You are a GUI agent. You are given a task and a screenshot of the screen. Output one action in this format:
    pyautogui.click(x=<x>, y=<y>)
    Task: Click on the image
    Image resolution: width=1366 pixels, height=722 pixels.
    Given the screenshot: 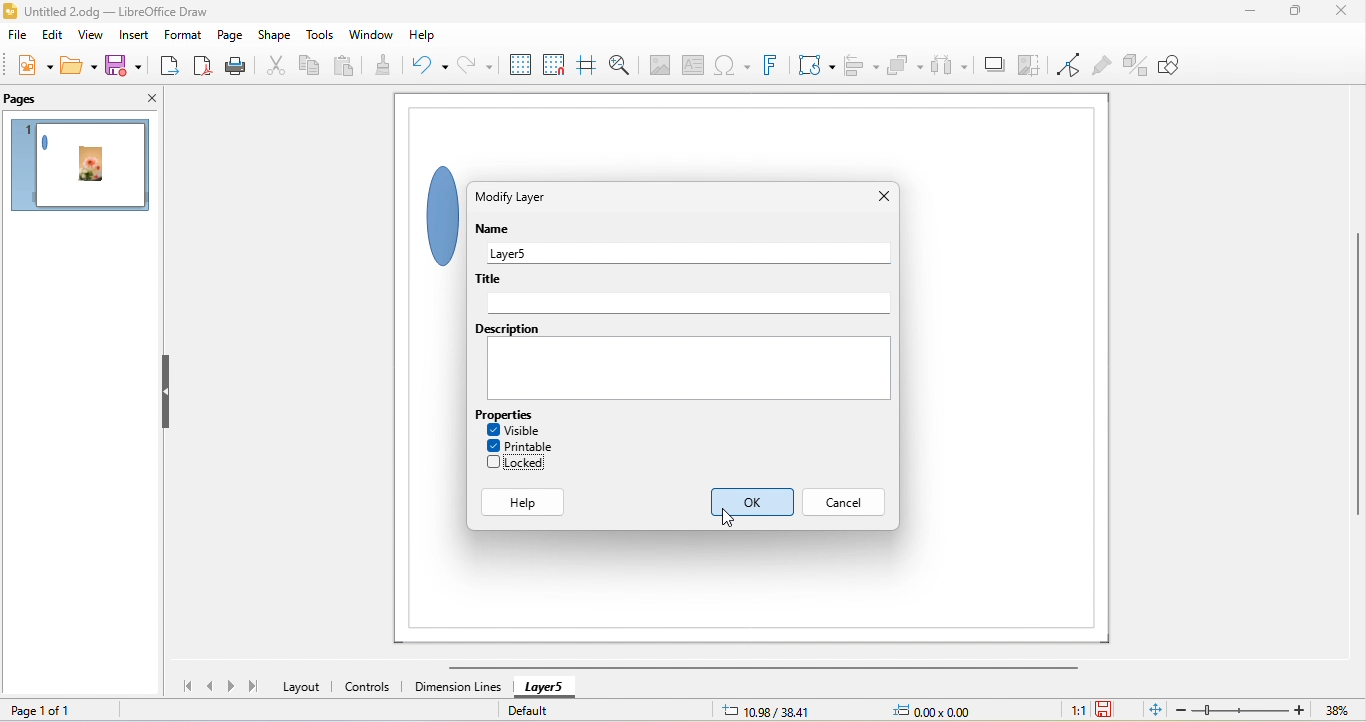 What is the action you would take?
    pyautogui.click(x=657, y=65)
    